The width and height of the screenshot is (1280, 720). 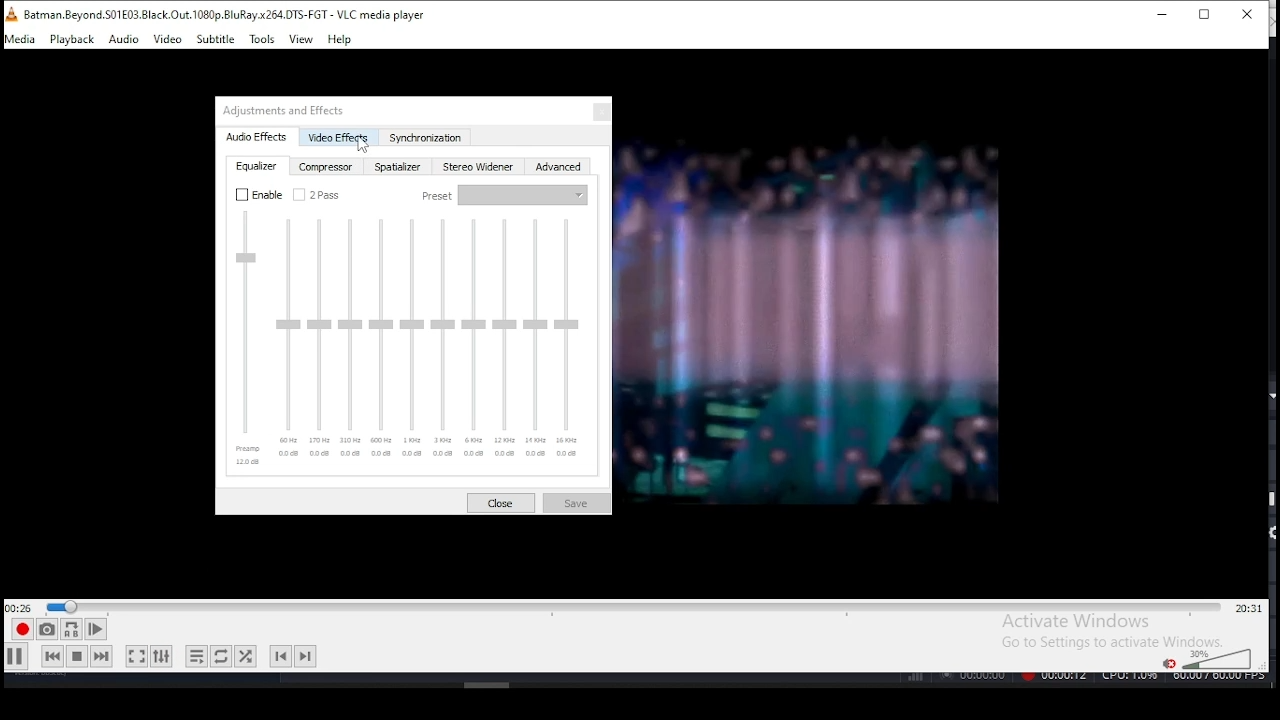 What do you see at coordinates (302, 39) in the screenshot?
I see `view` at bounding box center [302, 39].